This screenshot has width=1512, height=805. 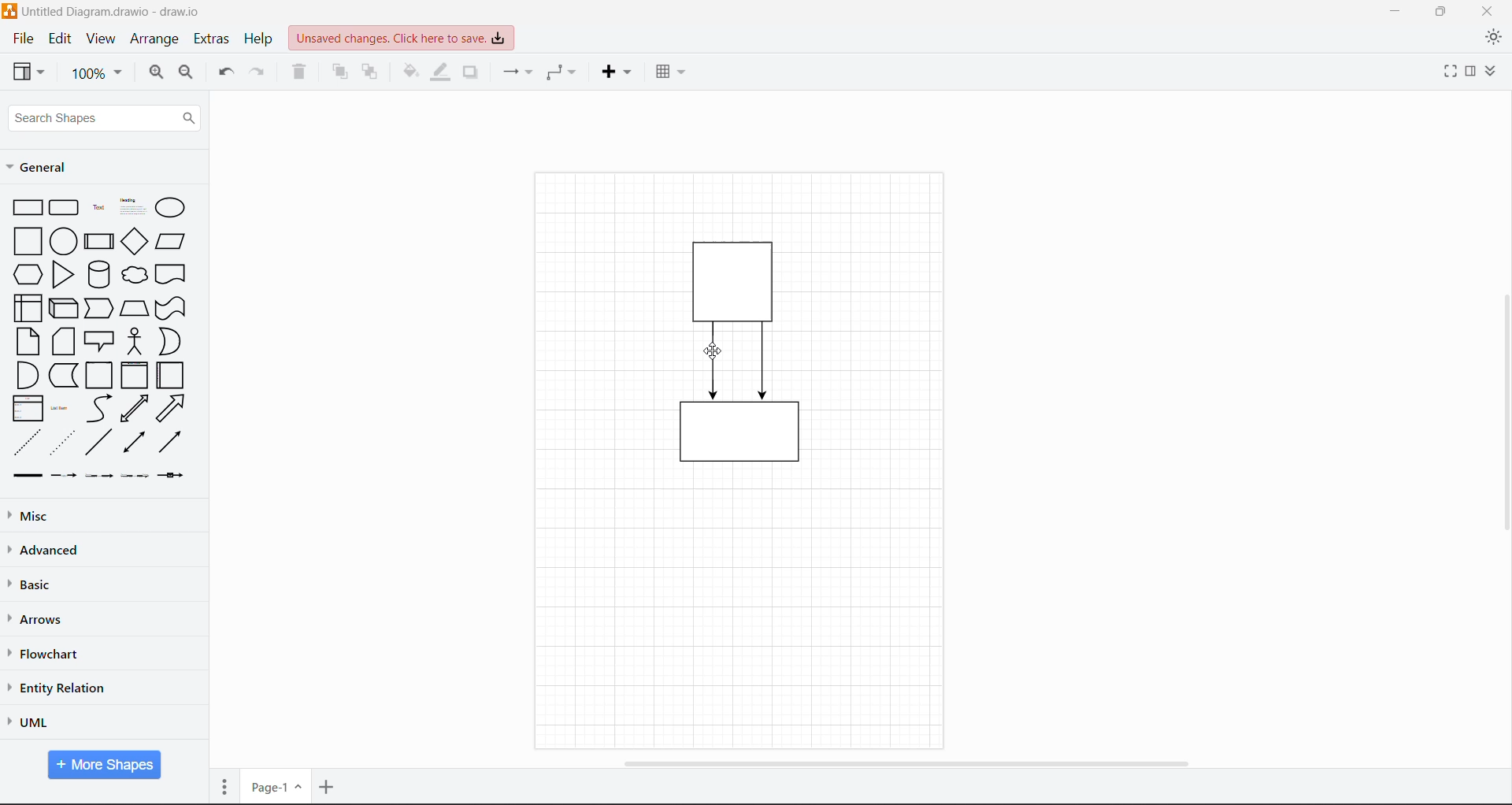 What do you see at coordinates (764, 362) in the screenshot?
I see `Directional Connector` at bounding box center [764, 362].